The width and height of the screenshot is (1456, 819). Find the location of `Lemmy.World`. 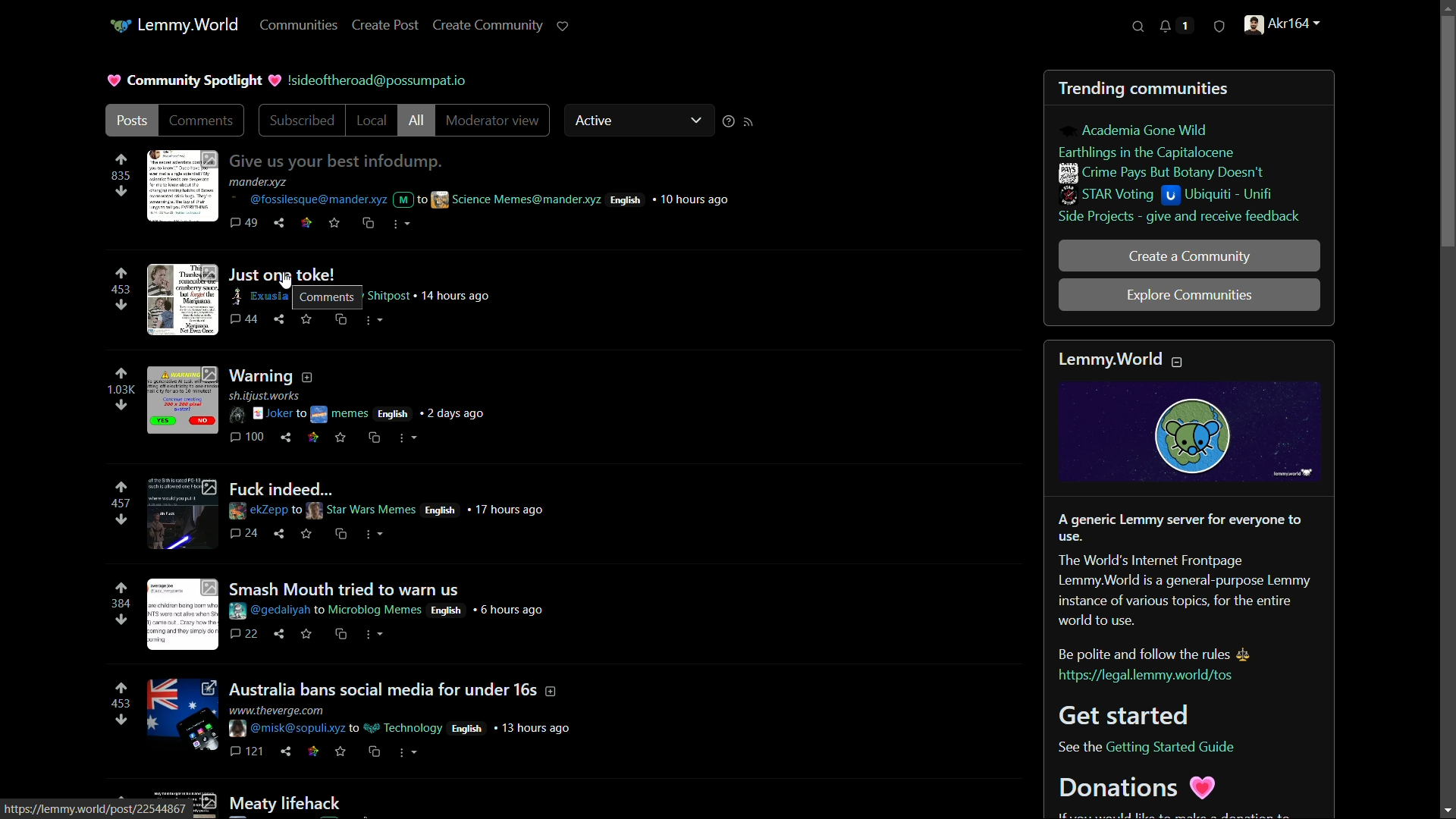

Lemmy.World is located at coordinates (176, 24).